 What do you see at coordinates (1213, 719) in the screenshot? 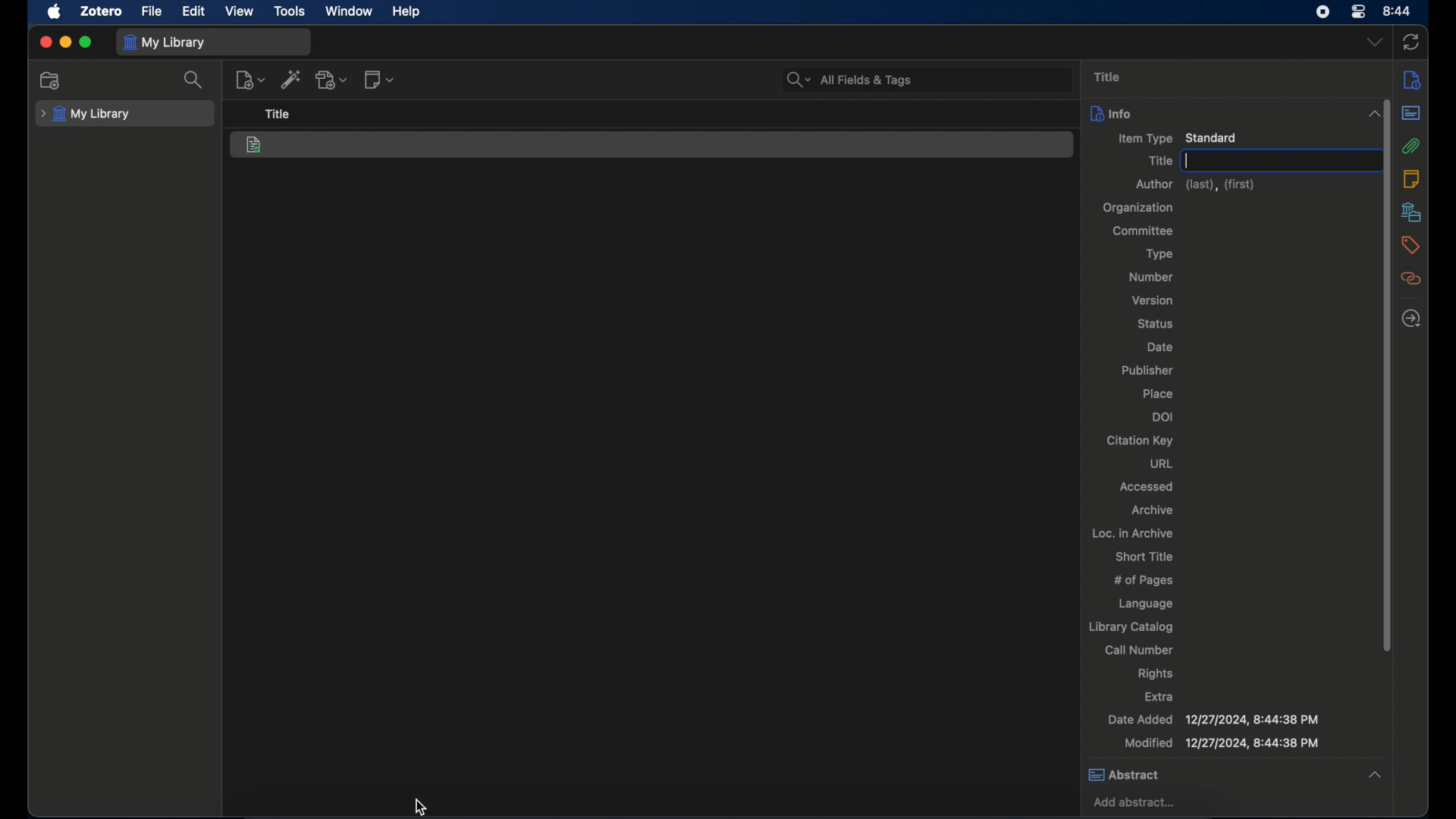
I see `date added` at bounding box center [1213, 719].